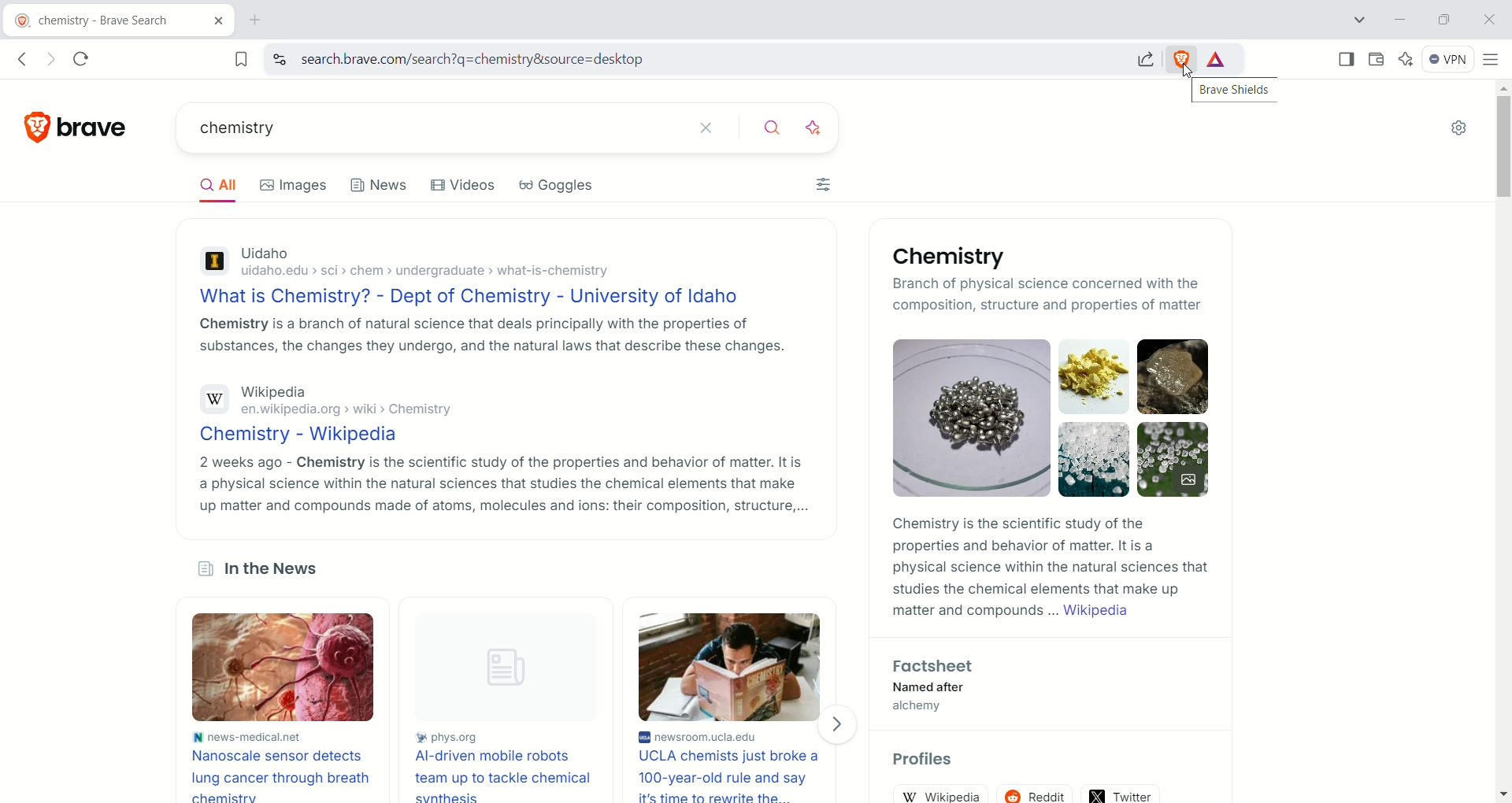 The width and height of the screenshot is (1512, 803). Describe the element at coordinates (1047, 790) in the screenshot. I see `Wikipedia, reddit, twitter` at that location.